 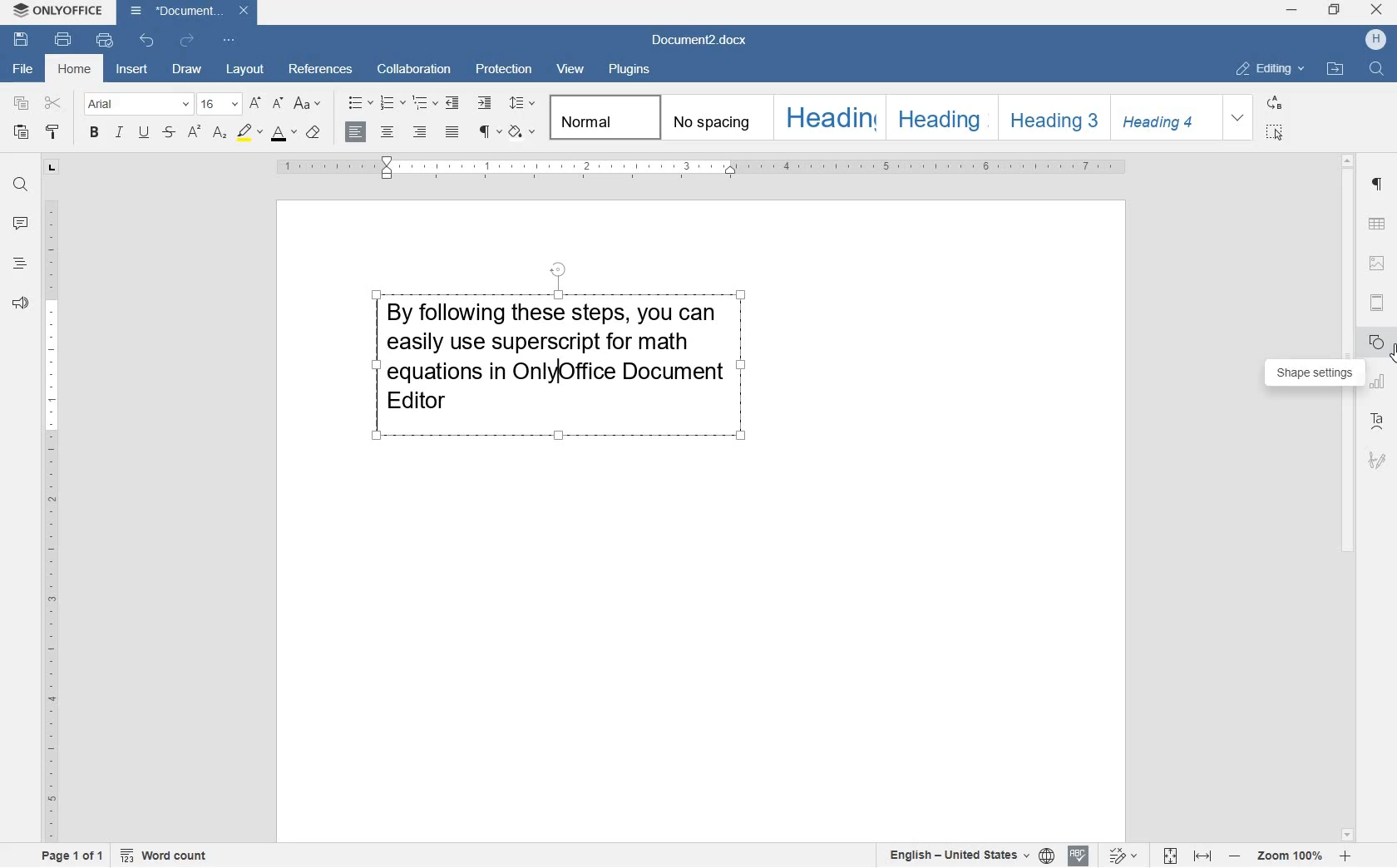 I want to click on increment font size, so click(x=254, y=104).